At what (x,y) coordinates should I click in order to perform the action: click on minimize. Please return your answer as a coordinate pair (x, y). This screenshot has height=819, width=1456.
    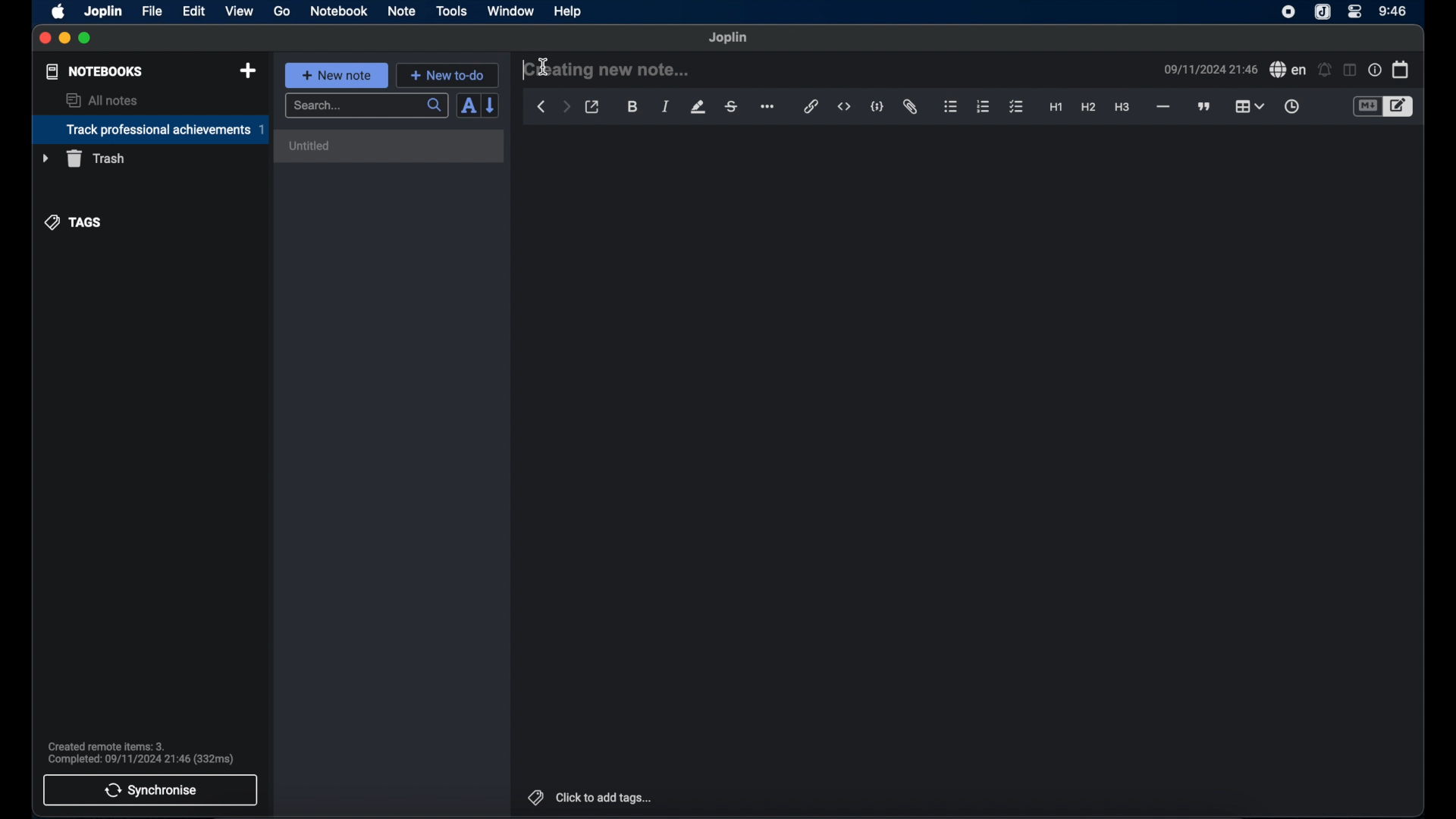
    Looking at the image, I should click on (65, 39).